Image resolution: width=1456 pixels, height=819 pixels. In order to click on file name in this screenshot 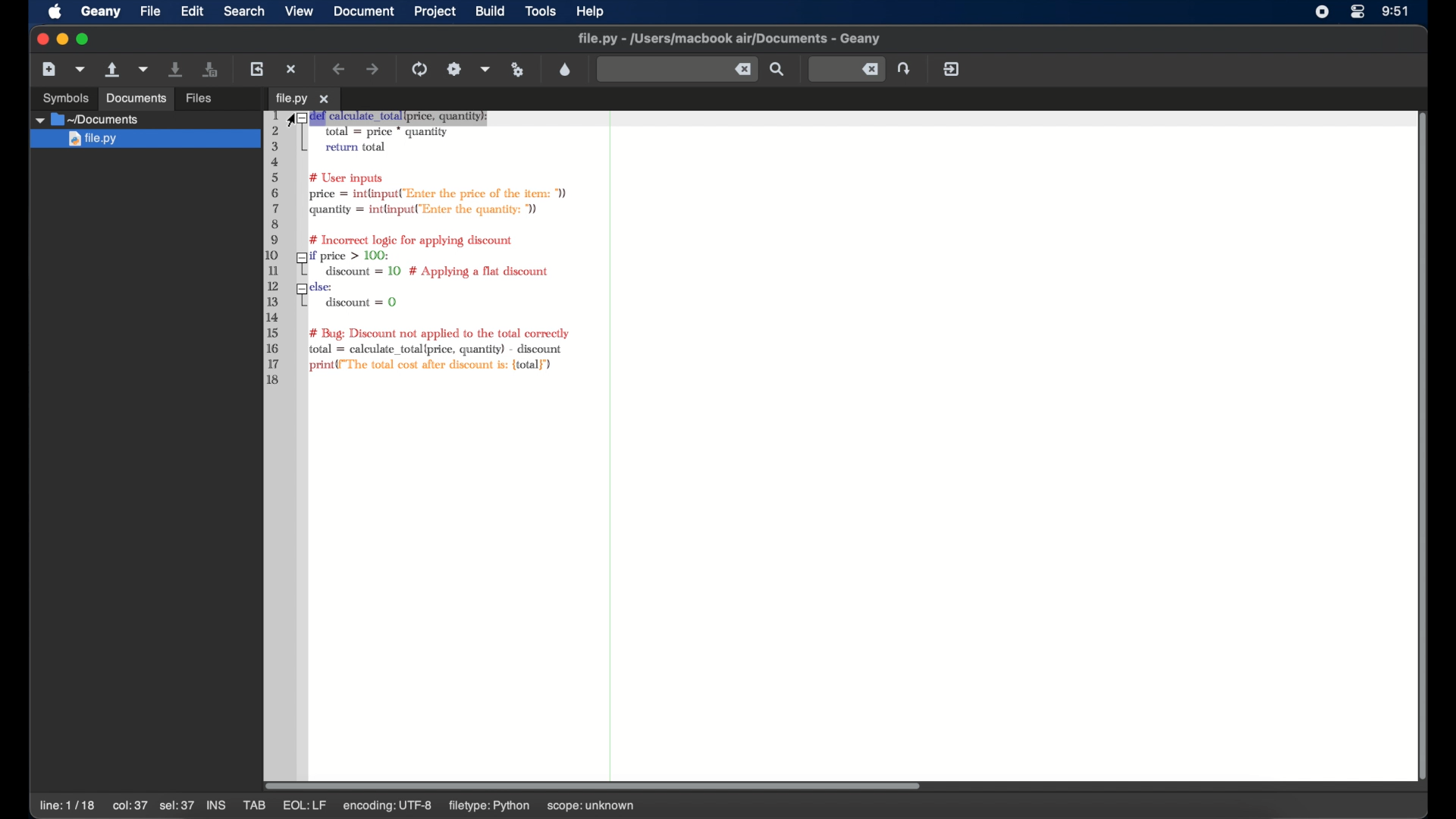, I will do `click(728, 39)`.